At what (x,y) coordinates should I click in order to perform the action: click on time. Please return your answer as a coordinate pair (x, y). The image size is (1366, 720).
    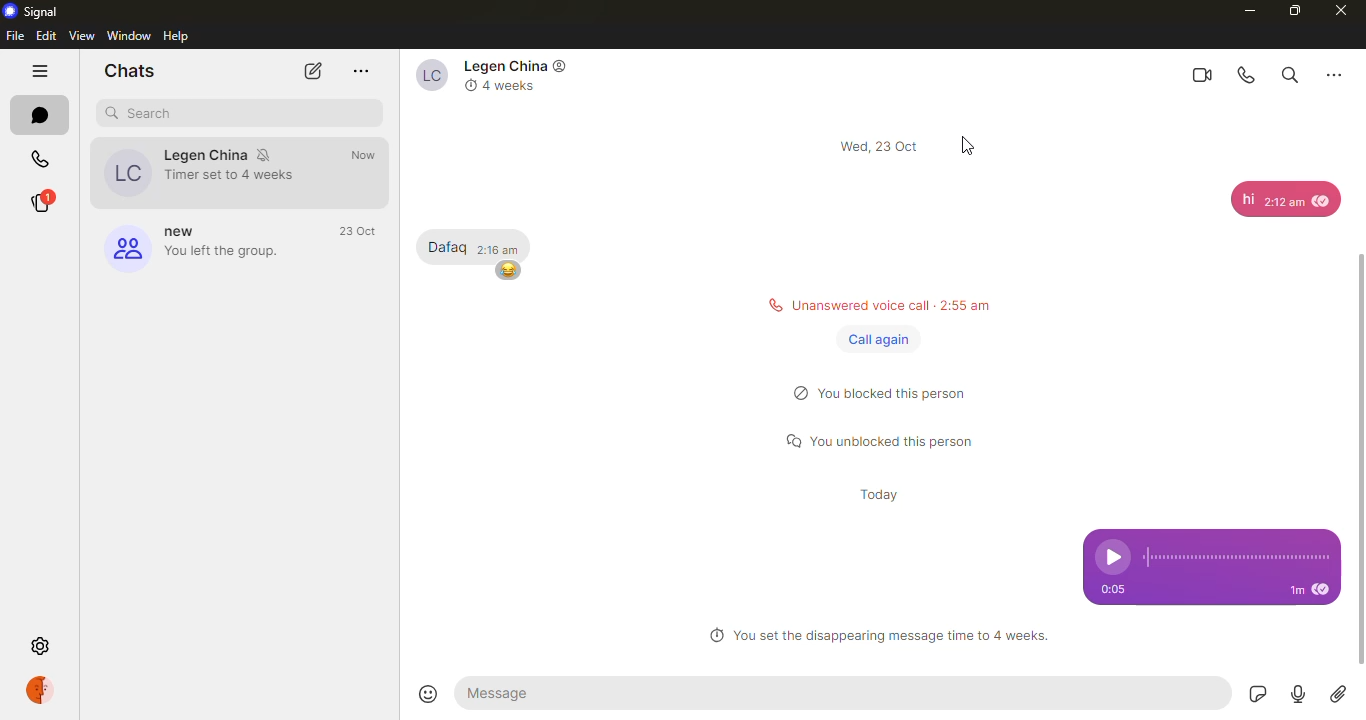
    Looking at the image, I should click on (1287, 590).